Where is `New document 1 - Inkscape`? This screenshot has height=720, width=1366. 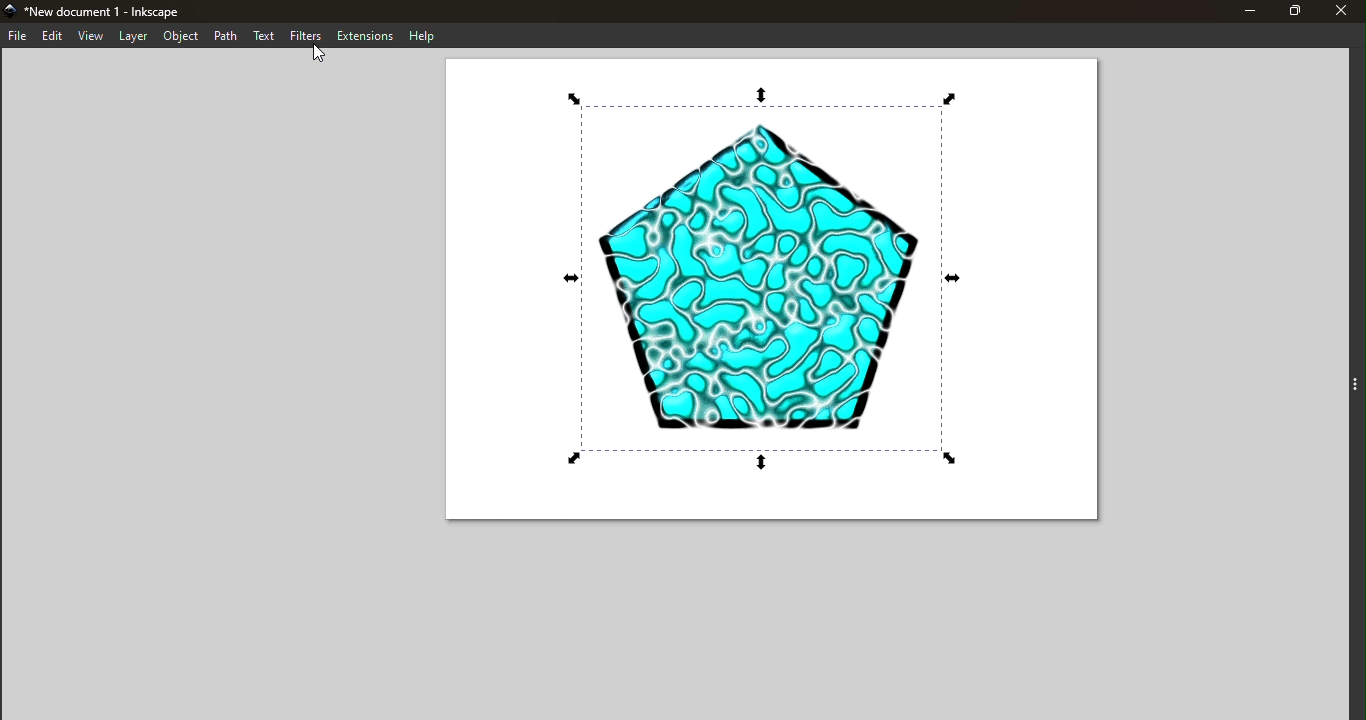 New document 1 - Inkscape is located at coordinates (116, 10).